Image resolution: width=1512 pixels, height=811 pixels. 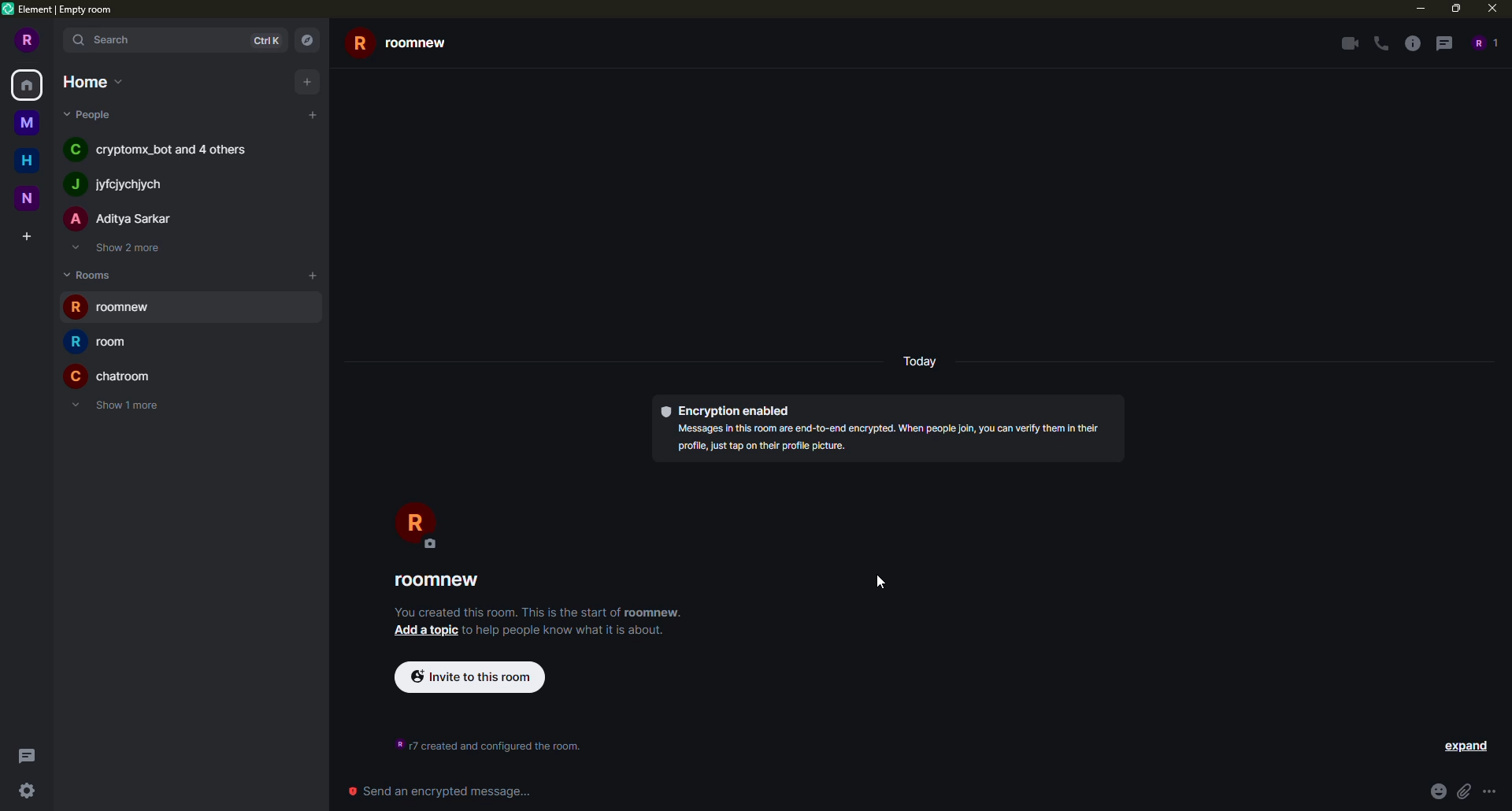 What do you see at coordinates (26, 791) in the screenshot?
I see `quick settings` at bounding box center [26, 791].